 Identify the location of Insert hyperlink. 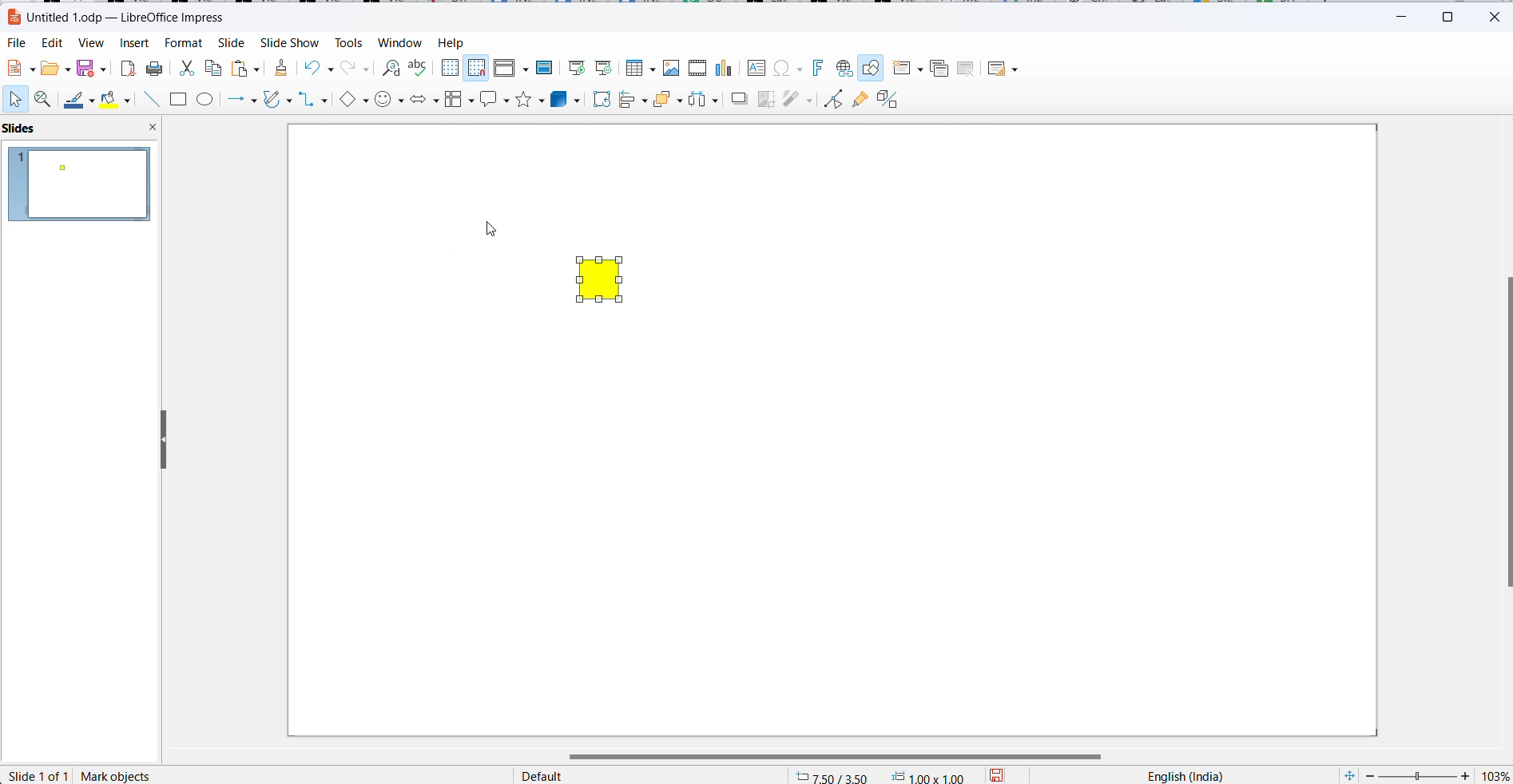
(842, 69).